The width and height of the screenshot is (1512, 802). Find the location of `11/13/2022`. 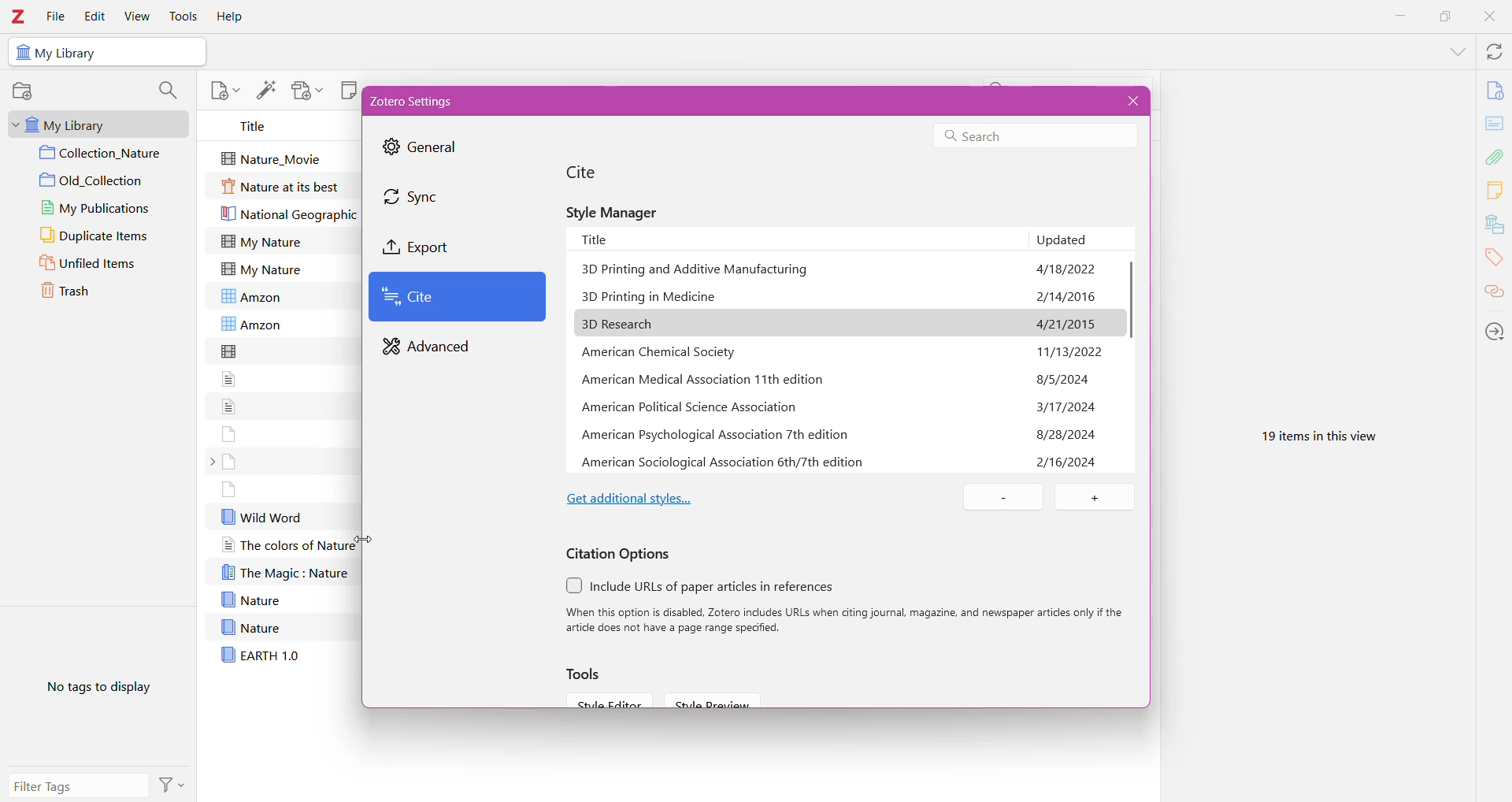

11/13/2022 is located at coordinates (1070, 325).